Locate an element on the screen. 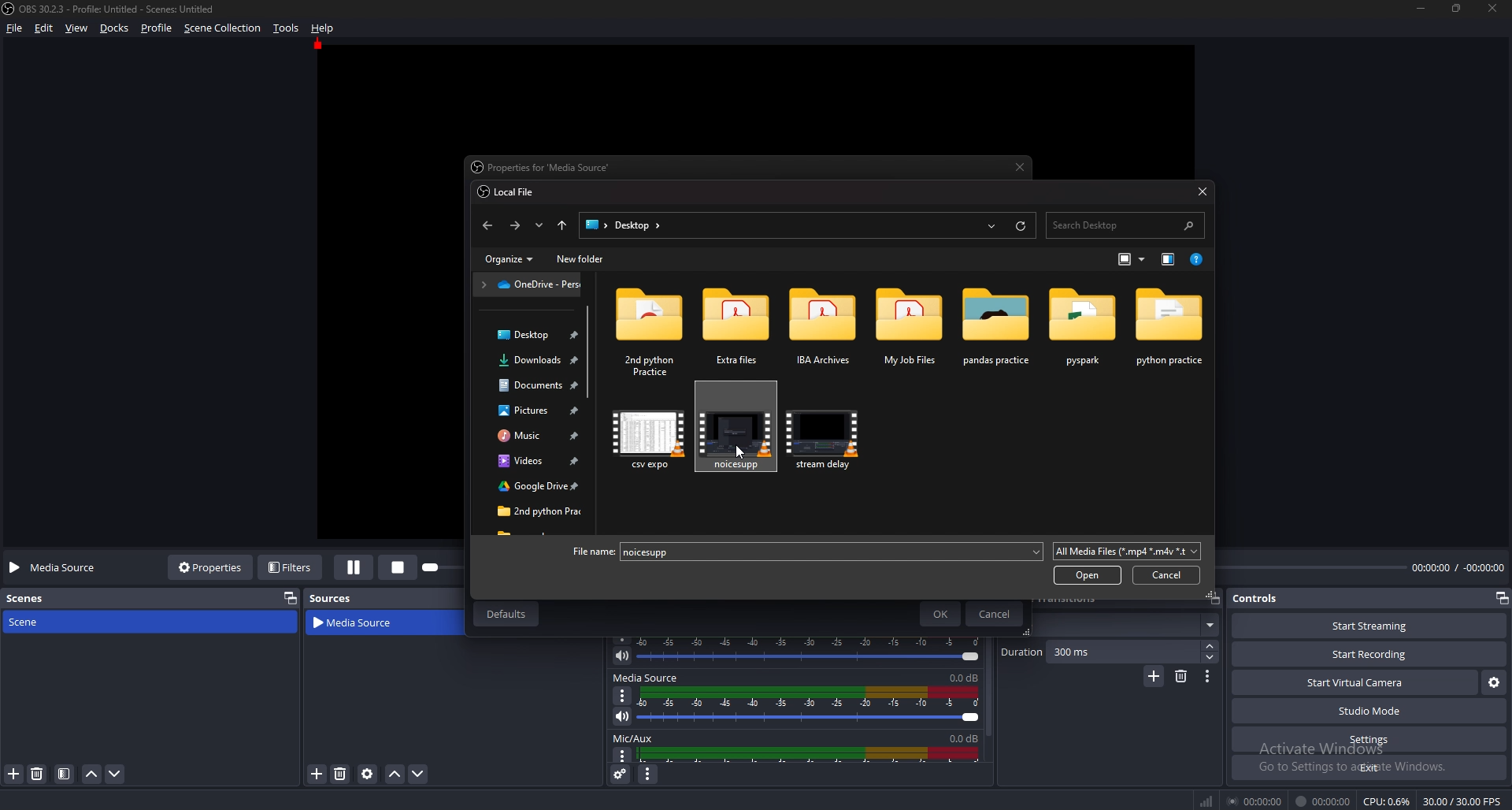 This screenshot has height=810, width=1512. Duration is located at coordinates (1101, 652).